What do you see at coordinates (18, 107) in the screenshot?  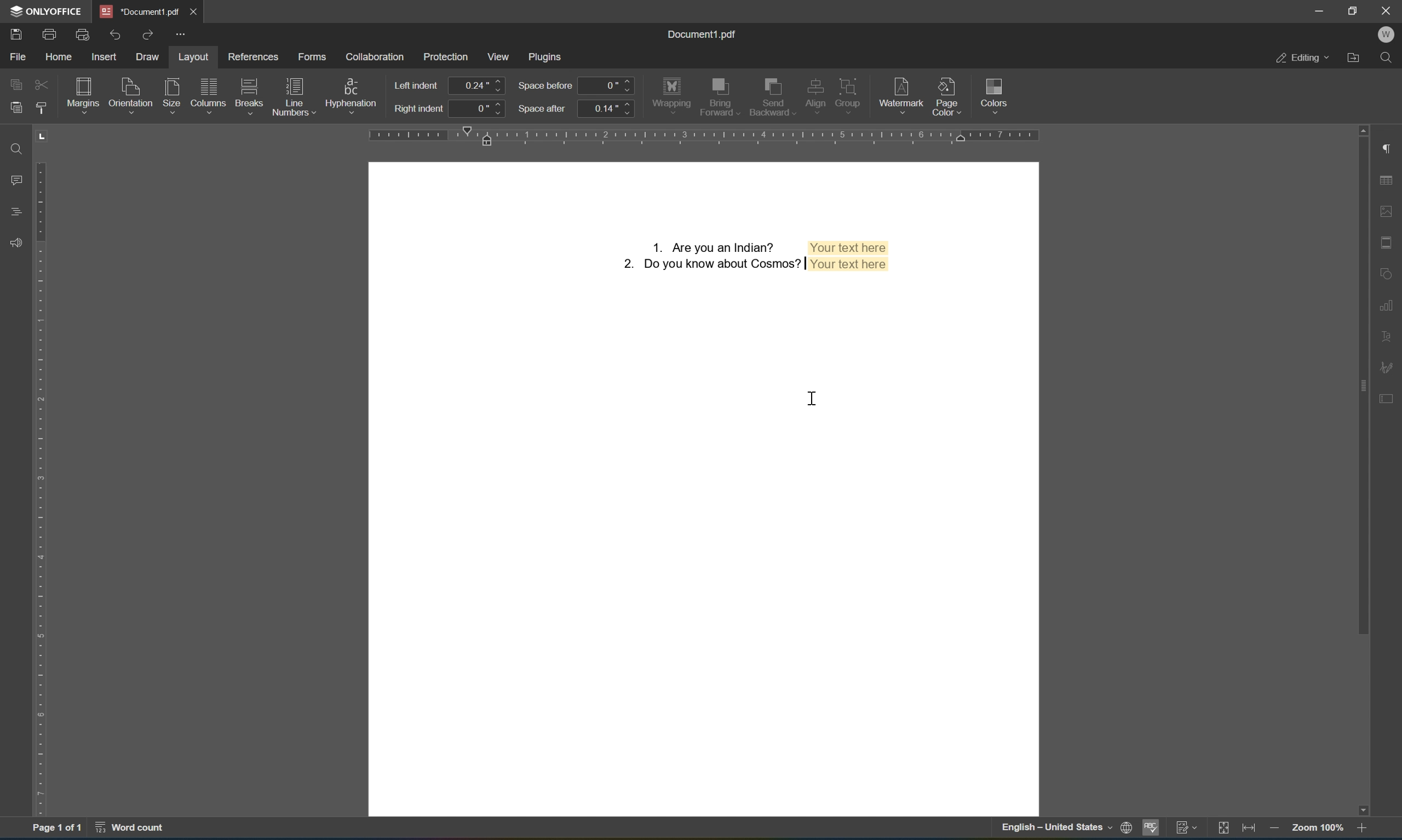 I see `paste` at bounding box center [18, 107].